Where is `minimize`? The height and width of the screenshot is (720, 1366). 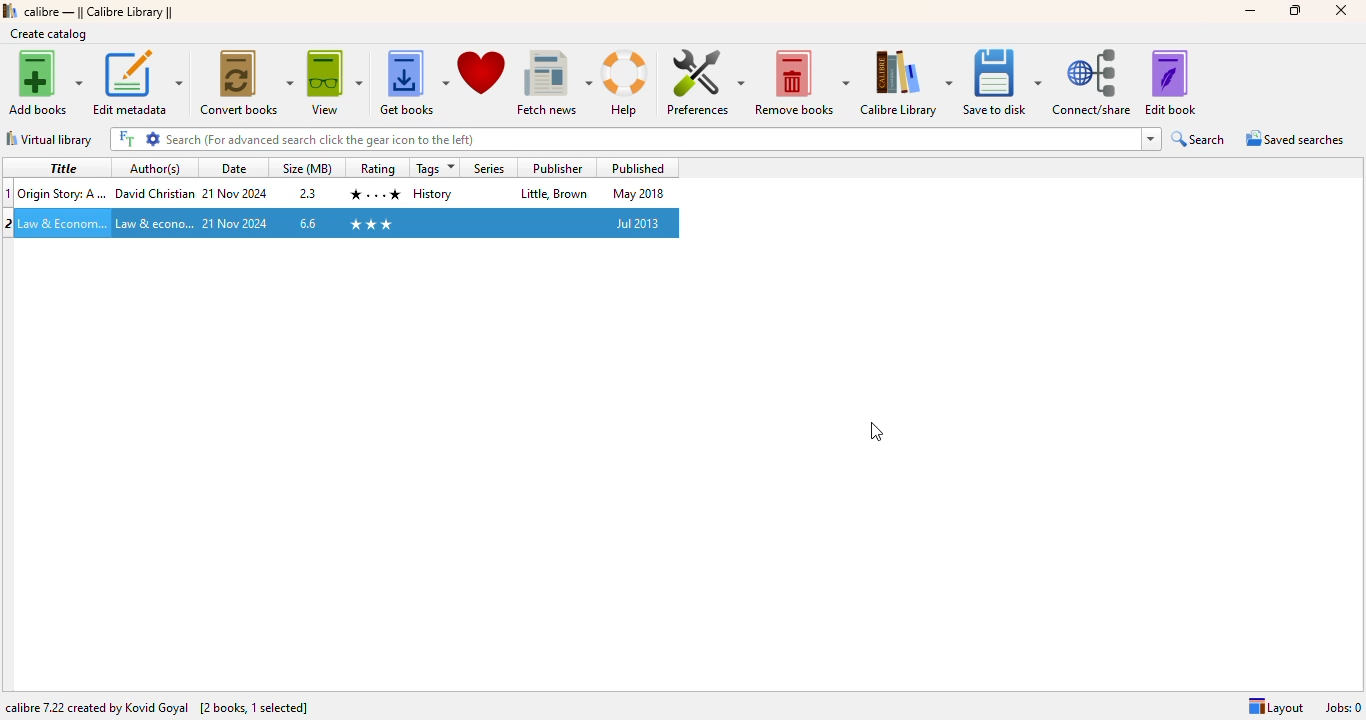
minimize is located at coordinates (1250, 11).